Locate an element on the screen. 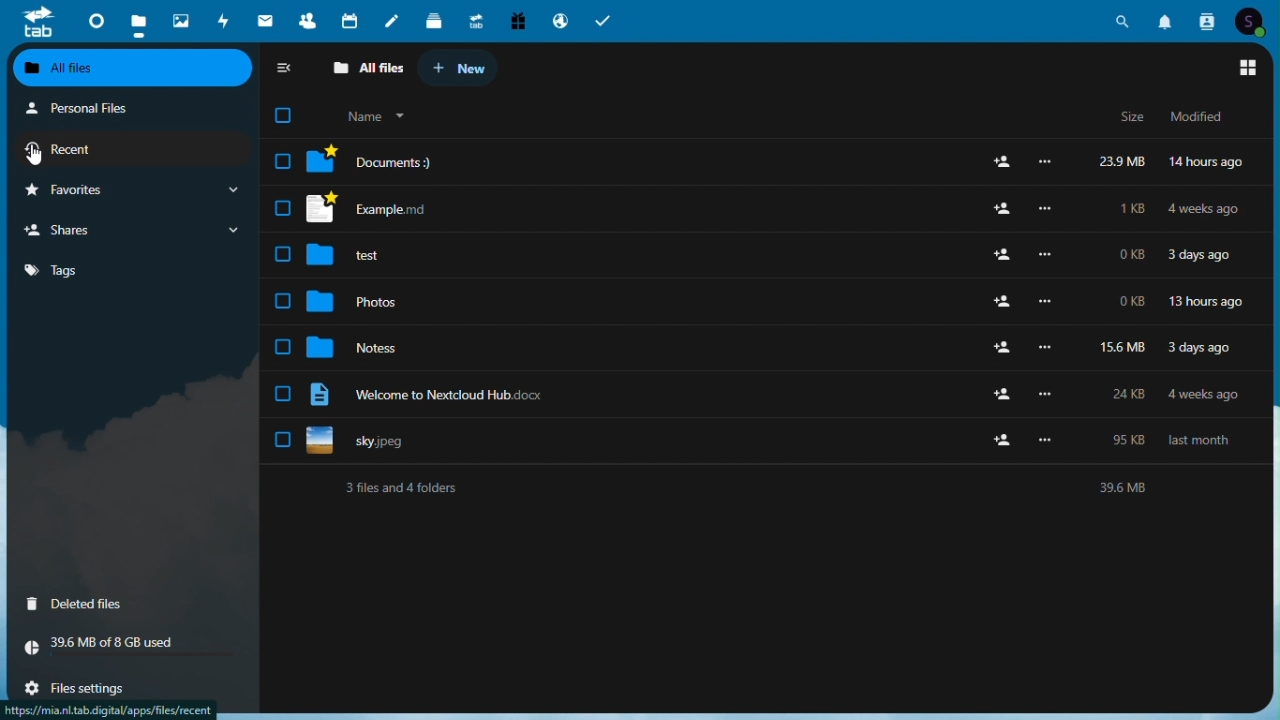 This screenshot has height=720, width=1280. activity is located at coordinates (221, 19).